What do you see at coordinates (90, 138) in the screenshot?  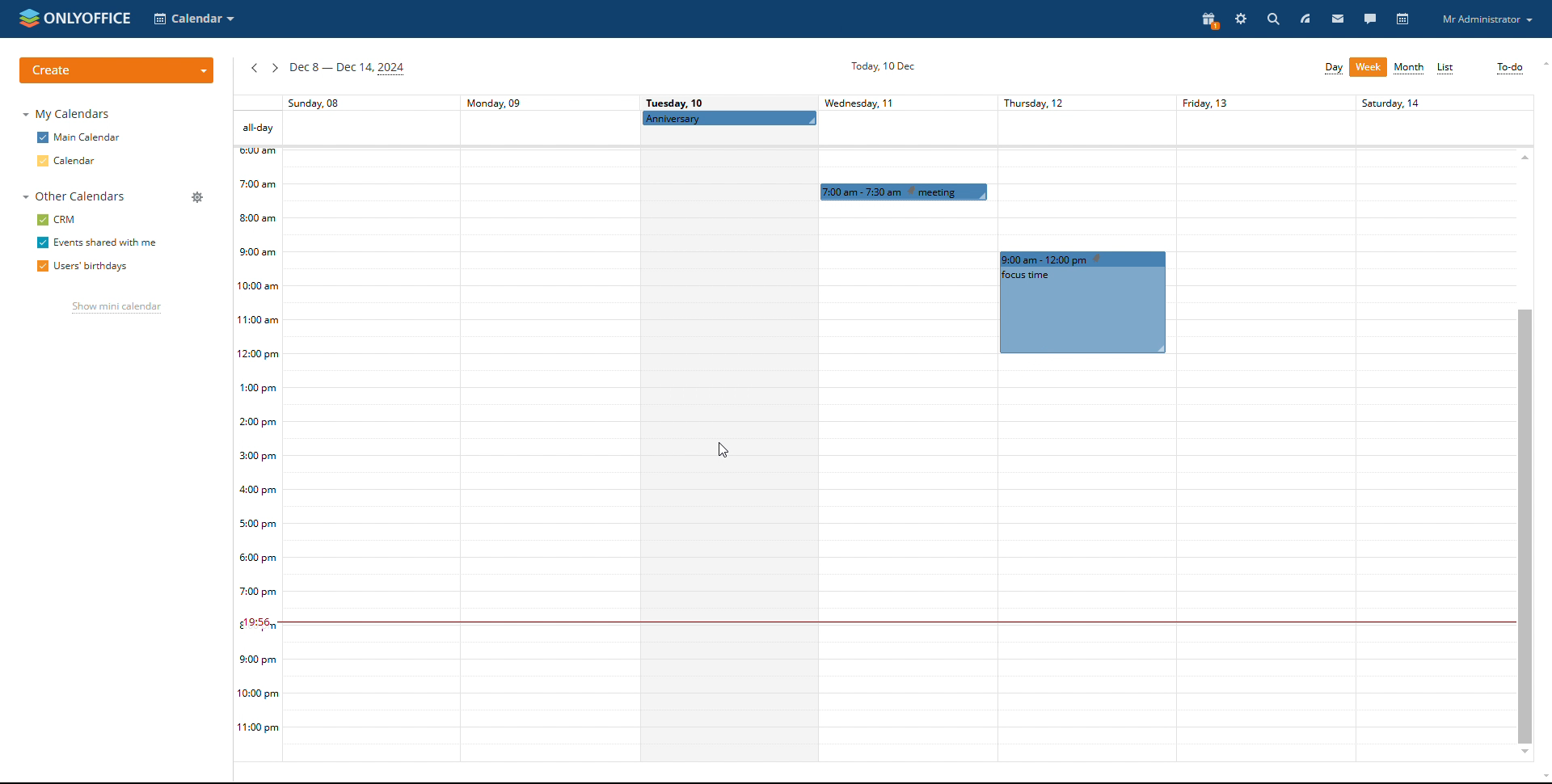 I see `main calendar` at bounding box center [90, 138].